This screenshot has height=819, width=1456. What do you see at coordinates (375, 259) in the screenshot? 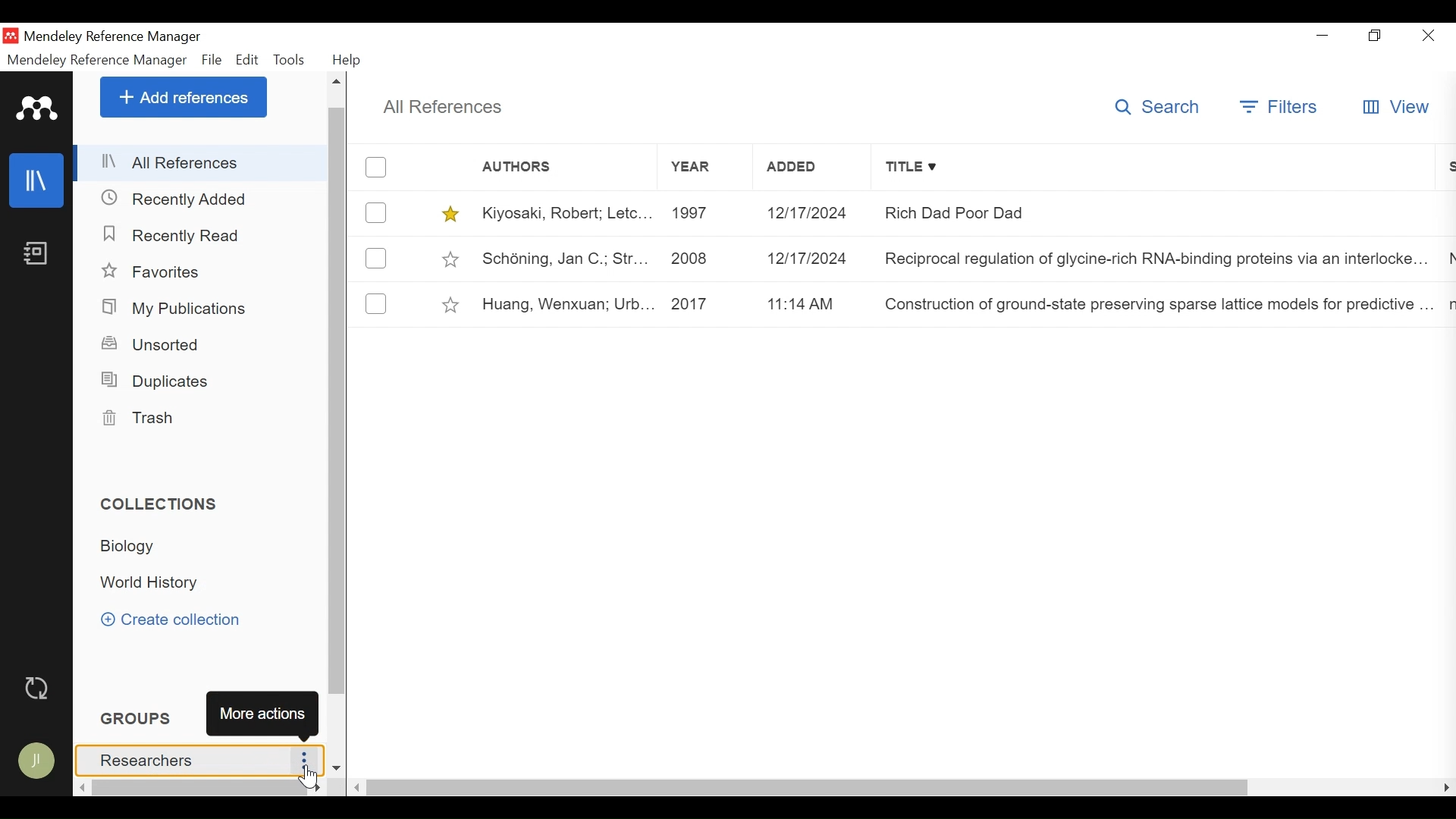
I see `(un)select` at bounding box center [375, 259].